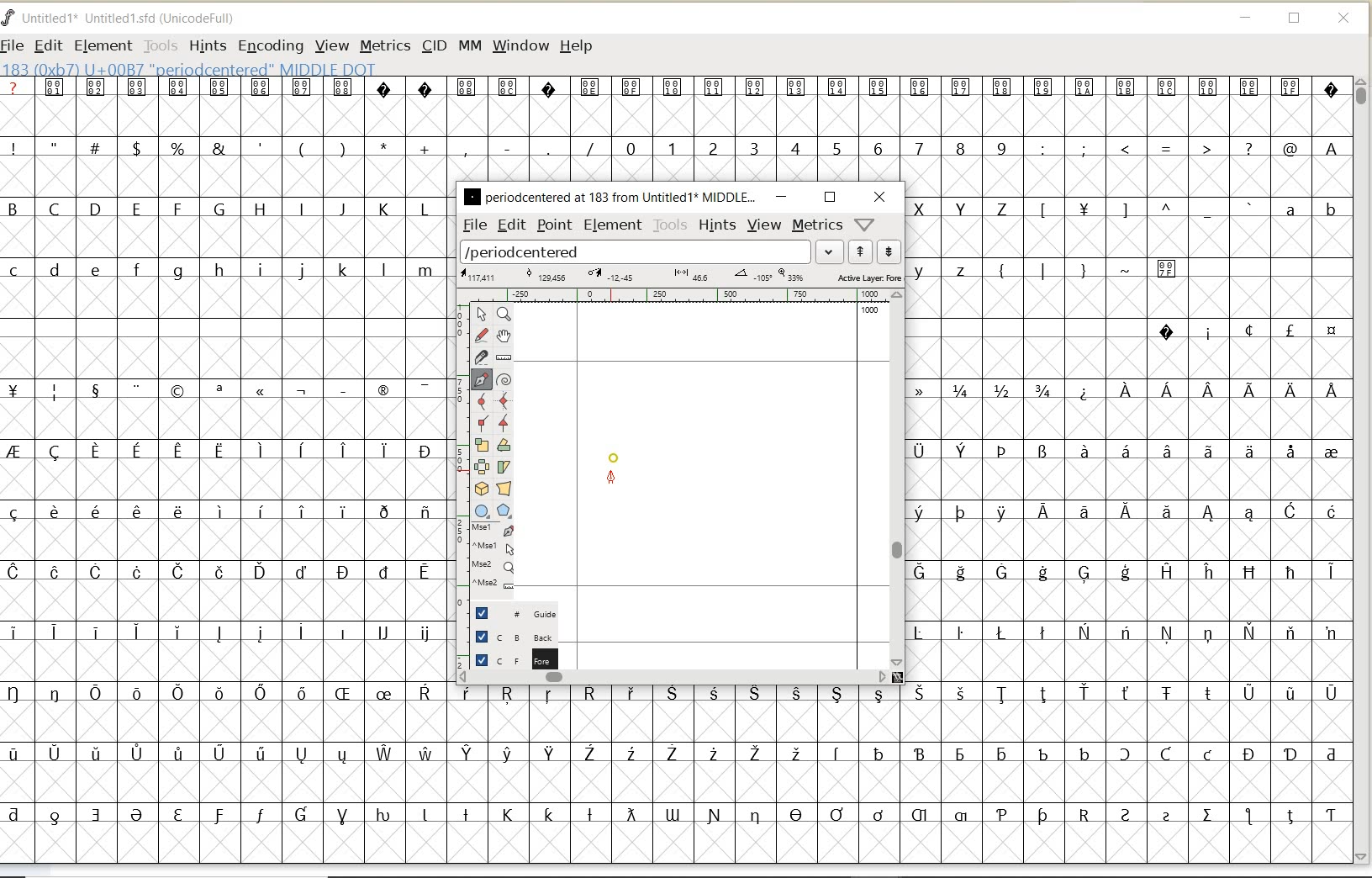 The height and width of the screenshot is (878, 1372). Describe the element at coordinates (1247, 20) in the screenshot. I see `MINIMIZE` at that location.